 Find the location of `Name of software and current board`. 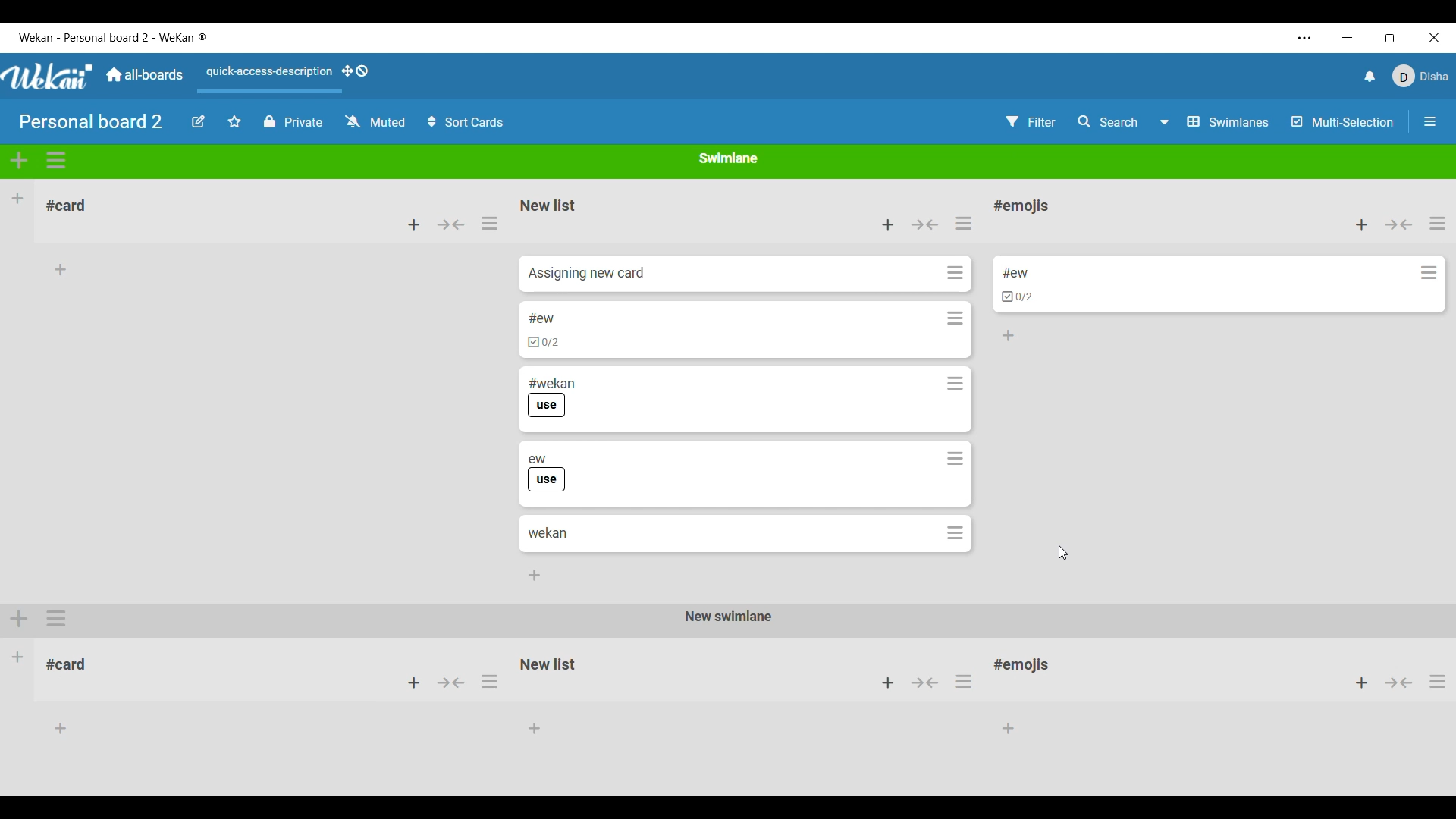

Name of software and current board is located at coordinates (112, 37).